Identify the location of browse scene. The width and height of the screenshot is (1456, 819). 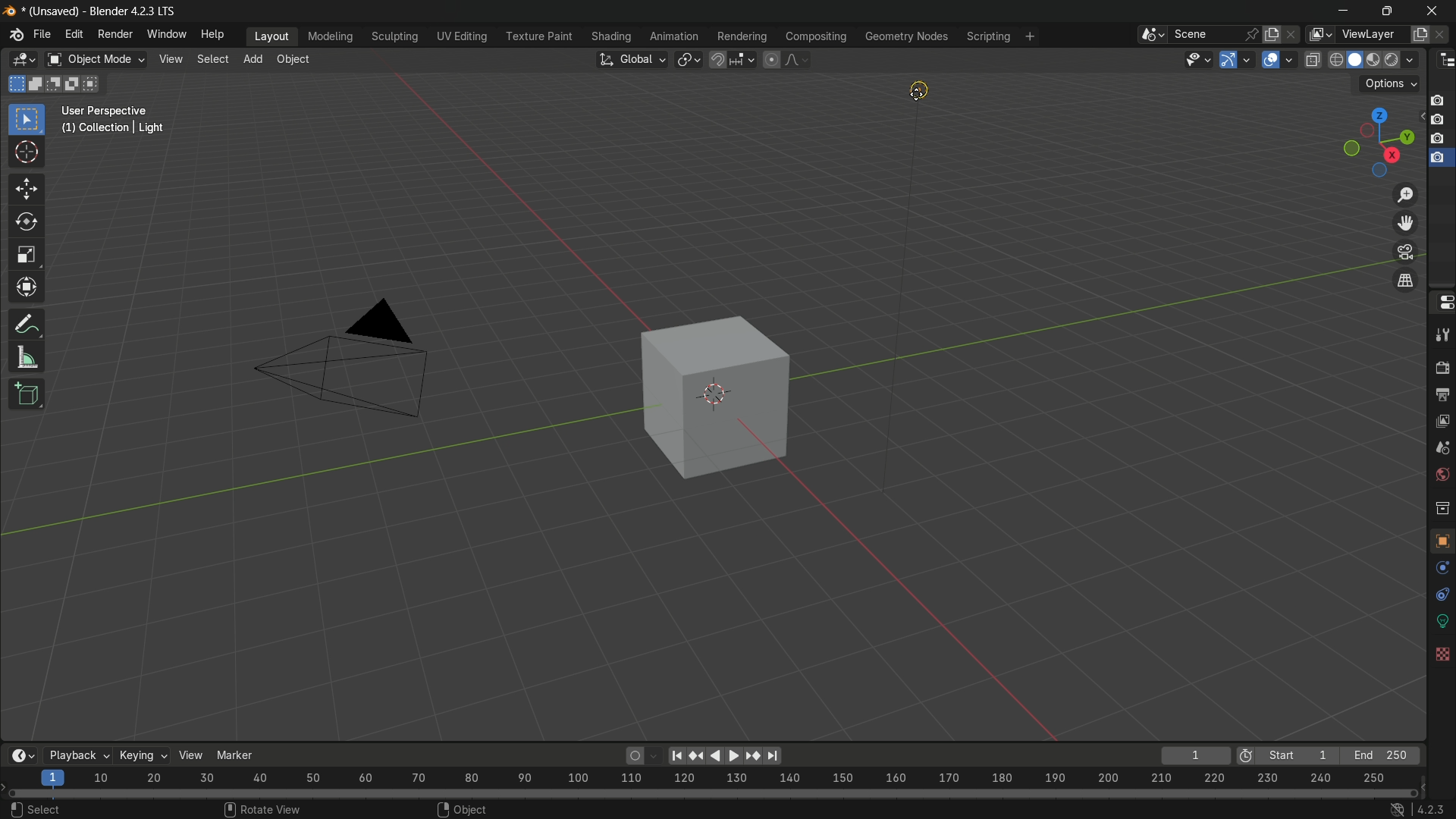
(1153, 36).